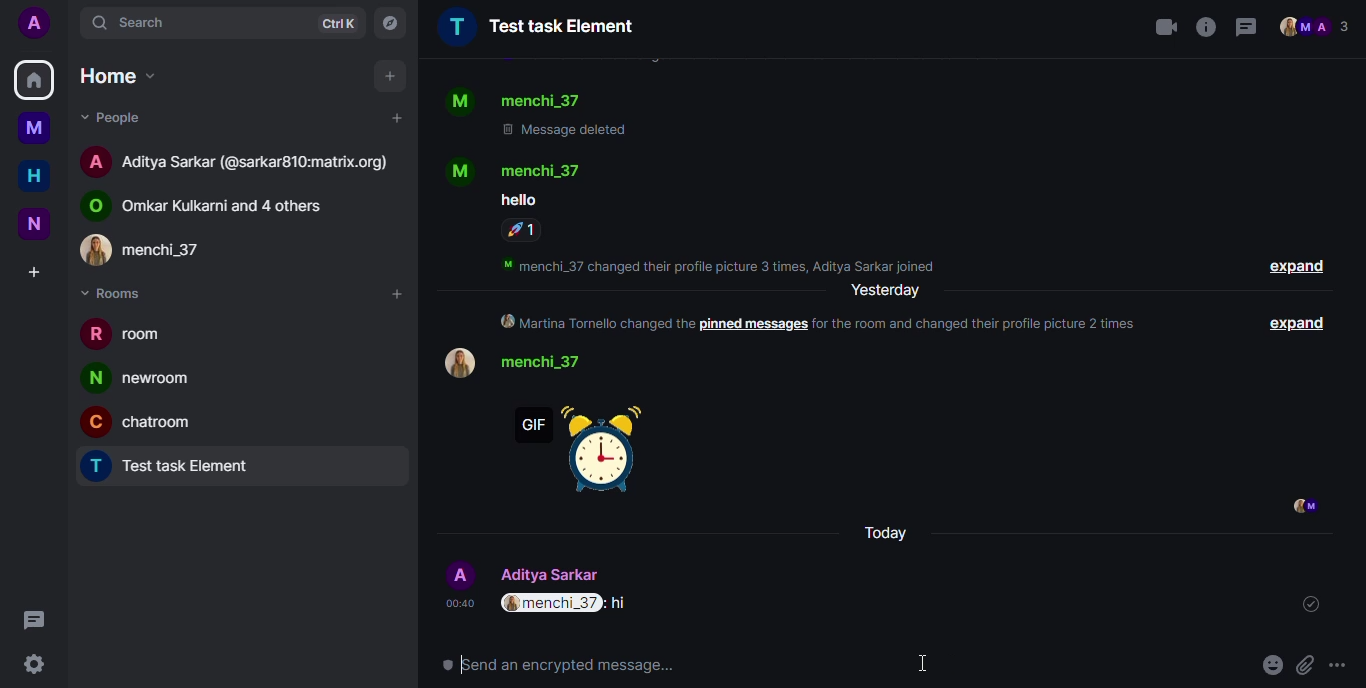 Image resolution: width=1366 pixels, height=688 pixels. What do you see at coordinates (391, 76) in the screenshot?
I see `add` at bounding box center [391, 76].